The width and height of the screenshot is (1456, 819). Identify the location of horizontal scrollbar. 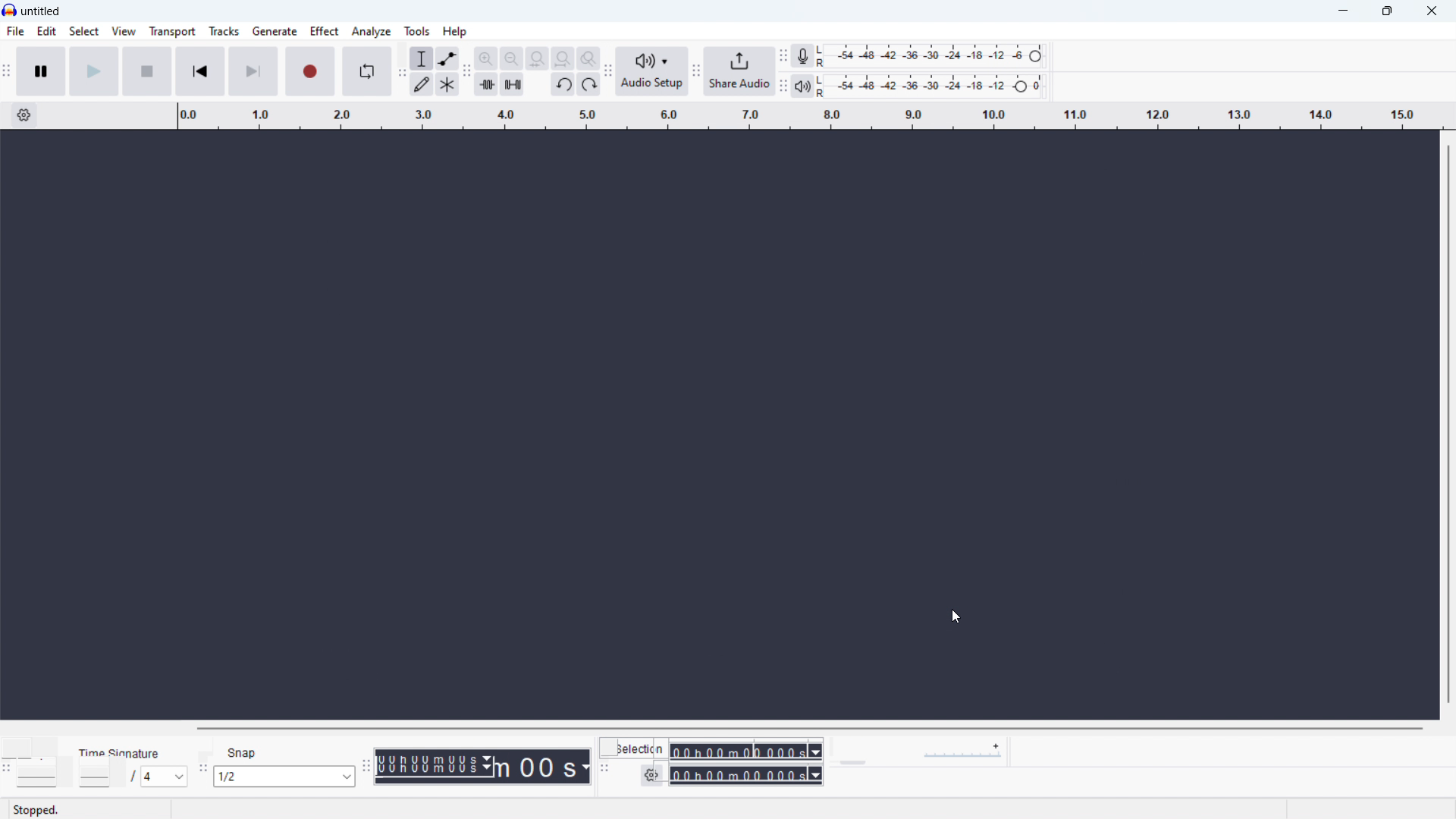
(811, 729).